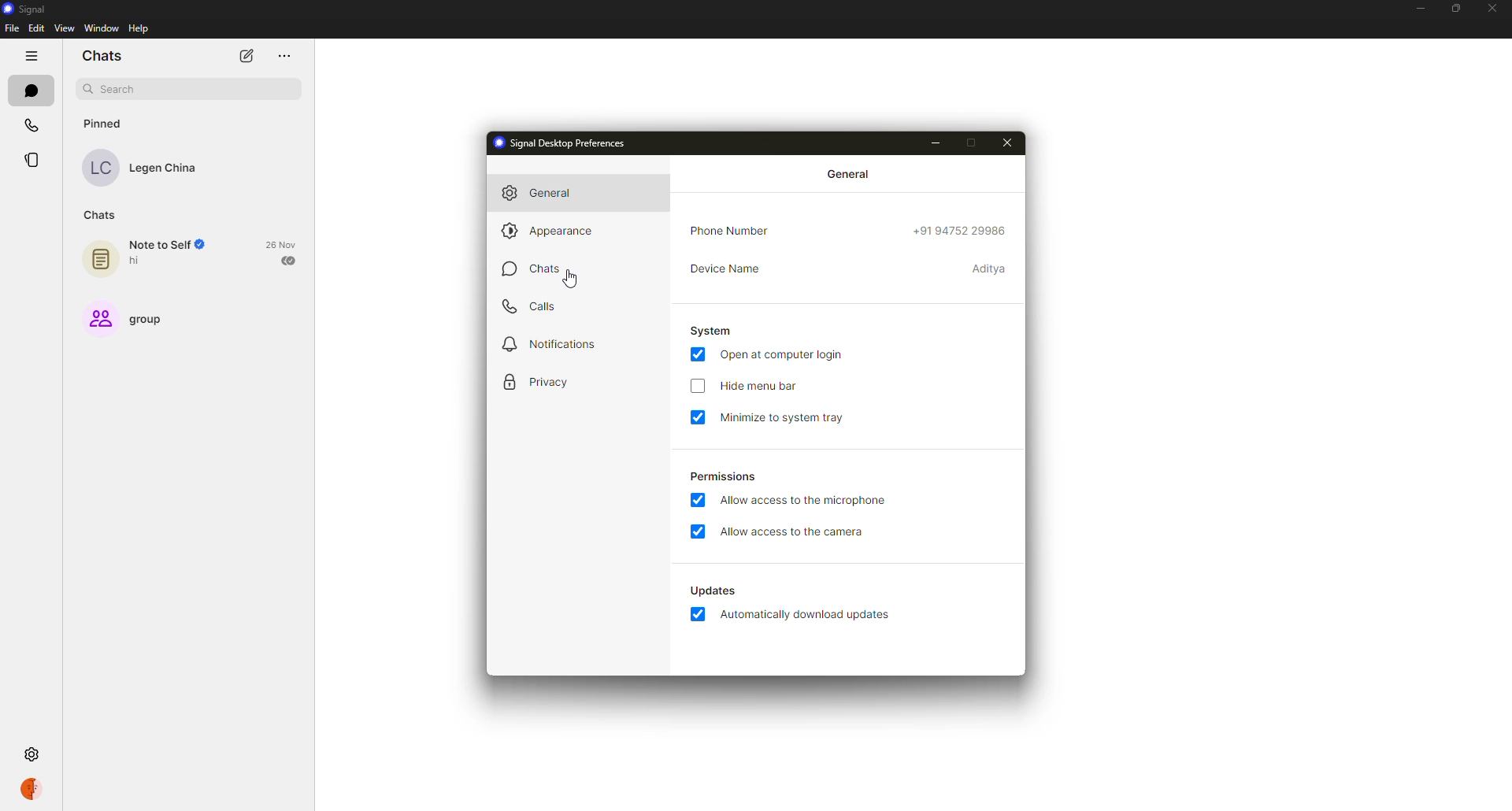  I want to click on enabled, so click(699, 531).